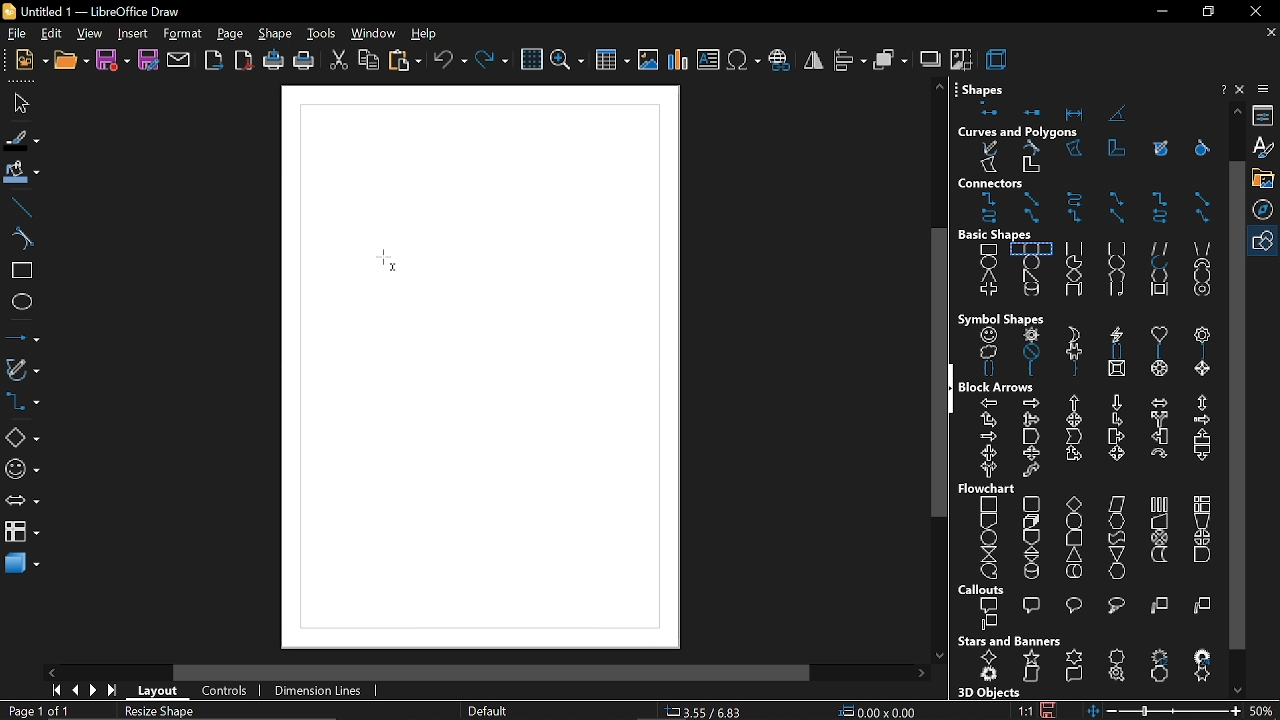 The image size is (1280, 720). Describe the element at coordinates (22, 403) in the screenshot. I see `connectors` at that location.